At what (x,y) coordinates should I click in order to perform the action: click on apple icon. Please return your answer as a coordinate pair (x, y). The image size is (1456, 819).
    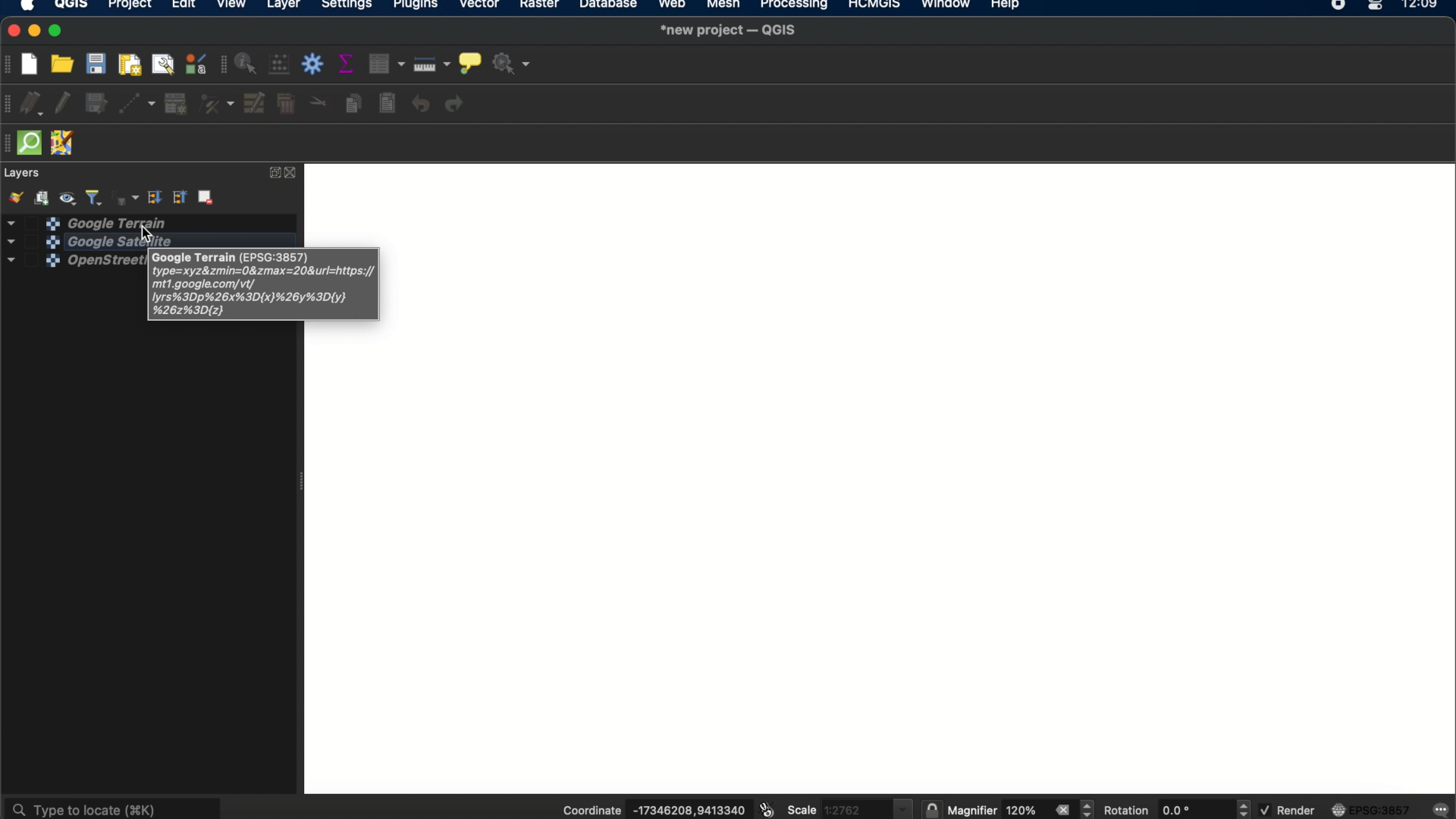
    Looking at the image, I should click on (33, 7).